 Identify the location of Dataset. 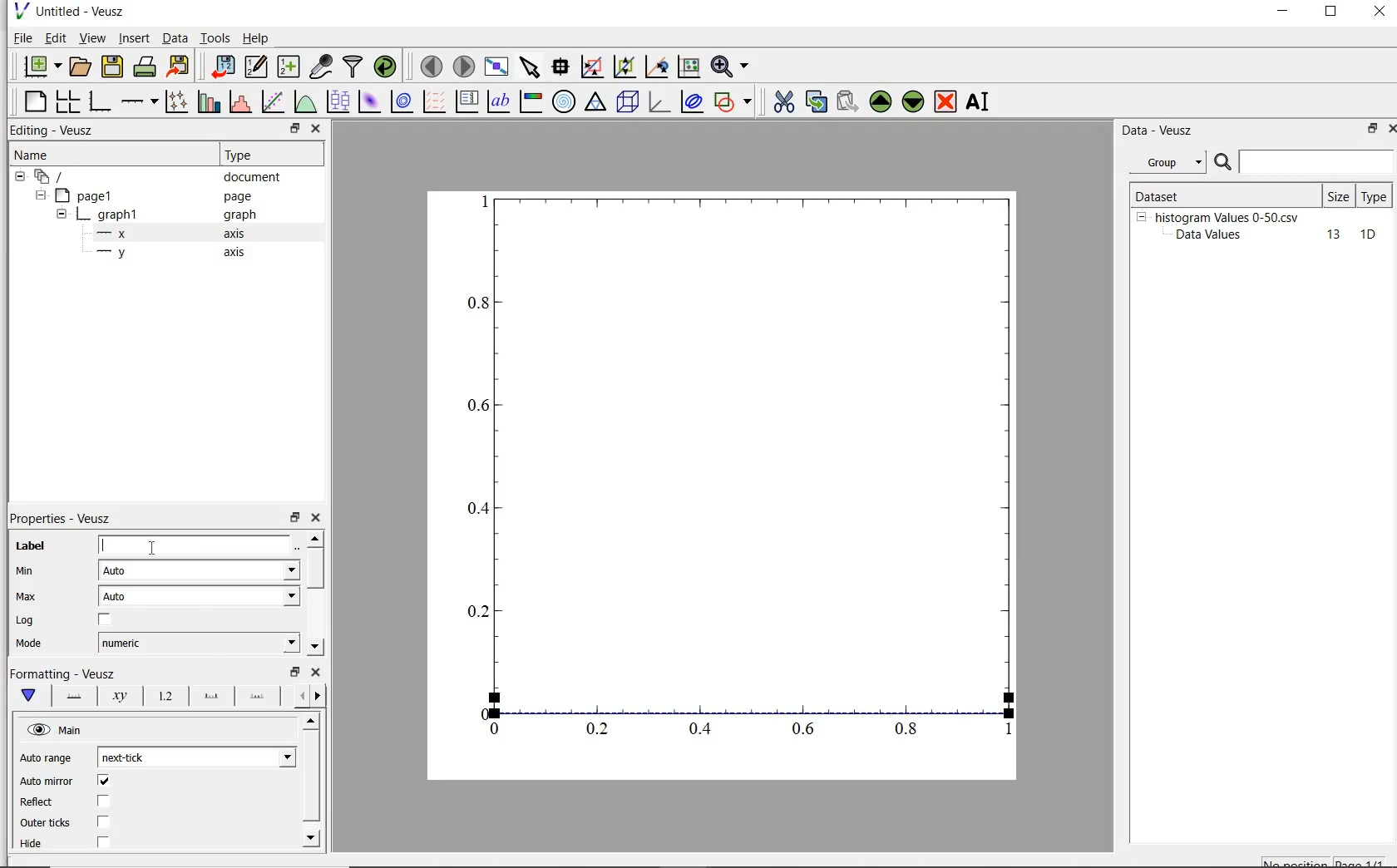
(1184, 194).